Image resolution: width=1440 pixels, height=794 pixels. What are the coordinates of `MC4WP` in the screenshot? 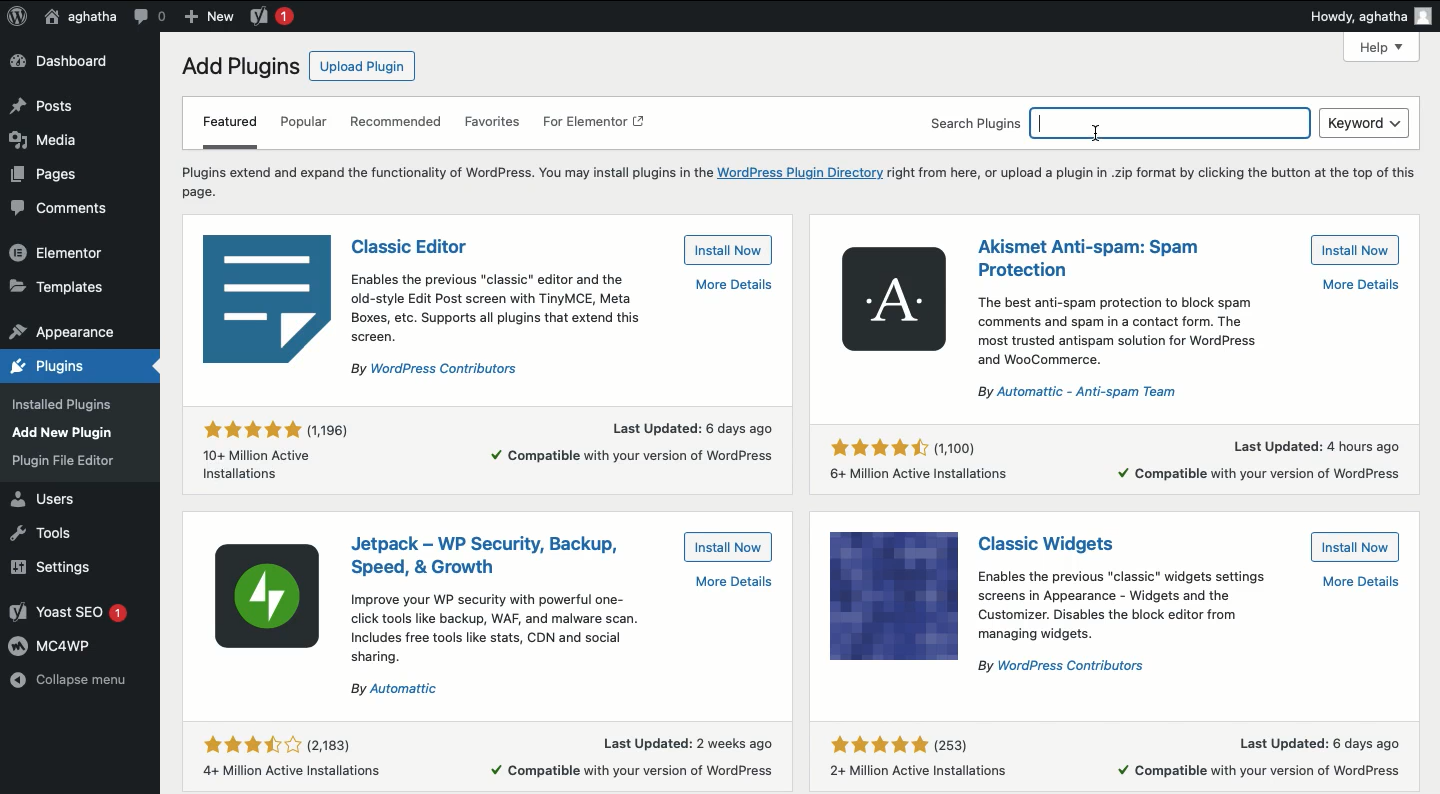 It's located at (53, 646).